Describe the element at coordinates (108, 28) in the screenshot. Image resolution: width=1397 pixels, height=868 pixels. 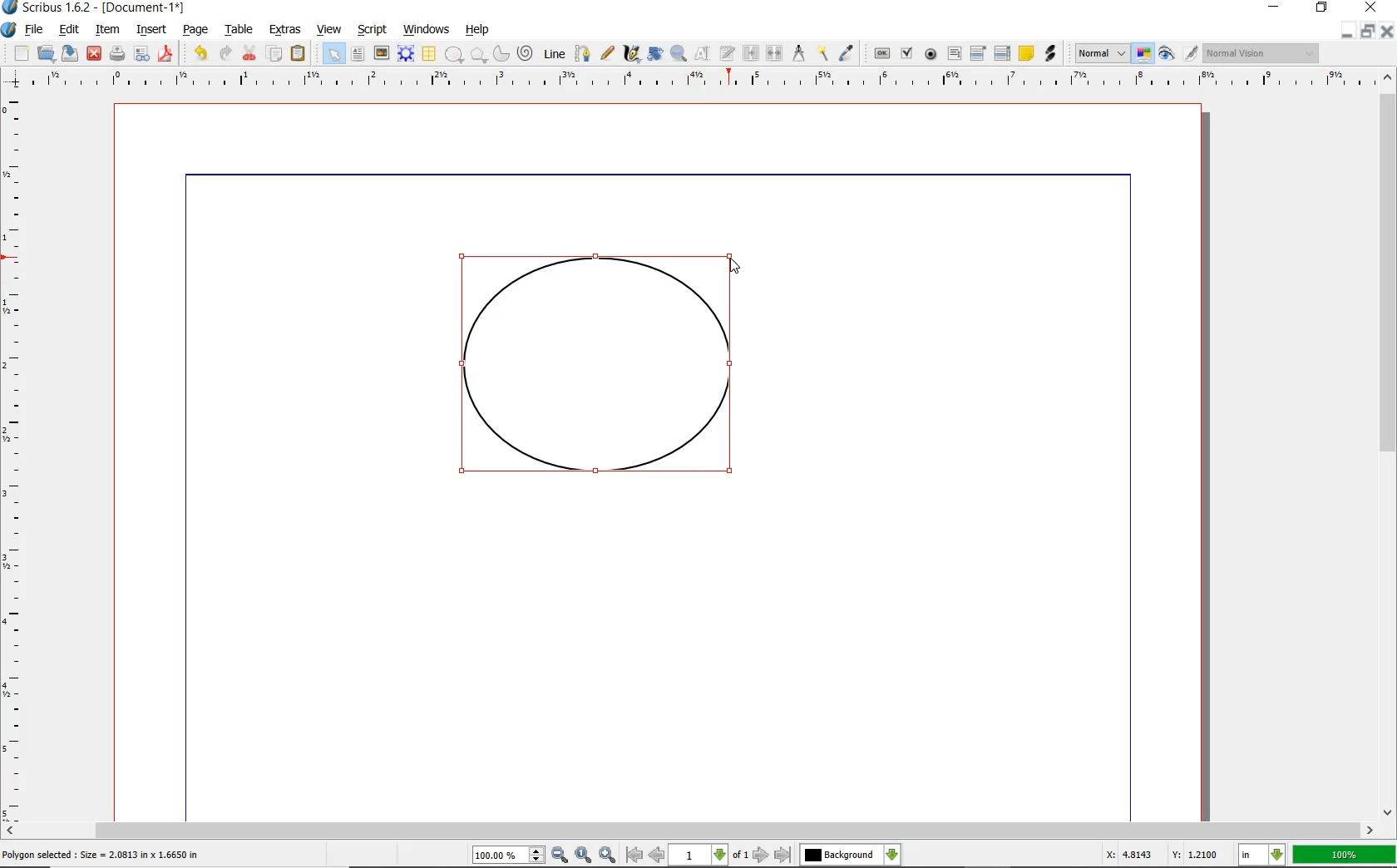
I see `ITEM` at that location.